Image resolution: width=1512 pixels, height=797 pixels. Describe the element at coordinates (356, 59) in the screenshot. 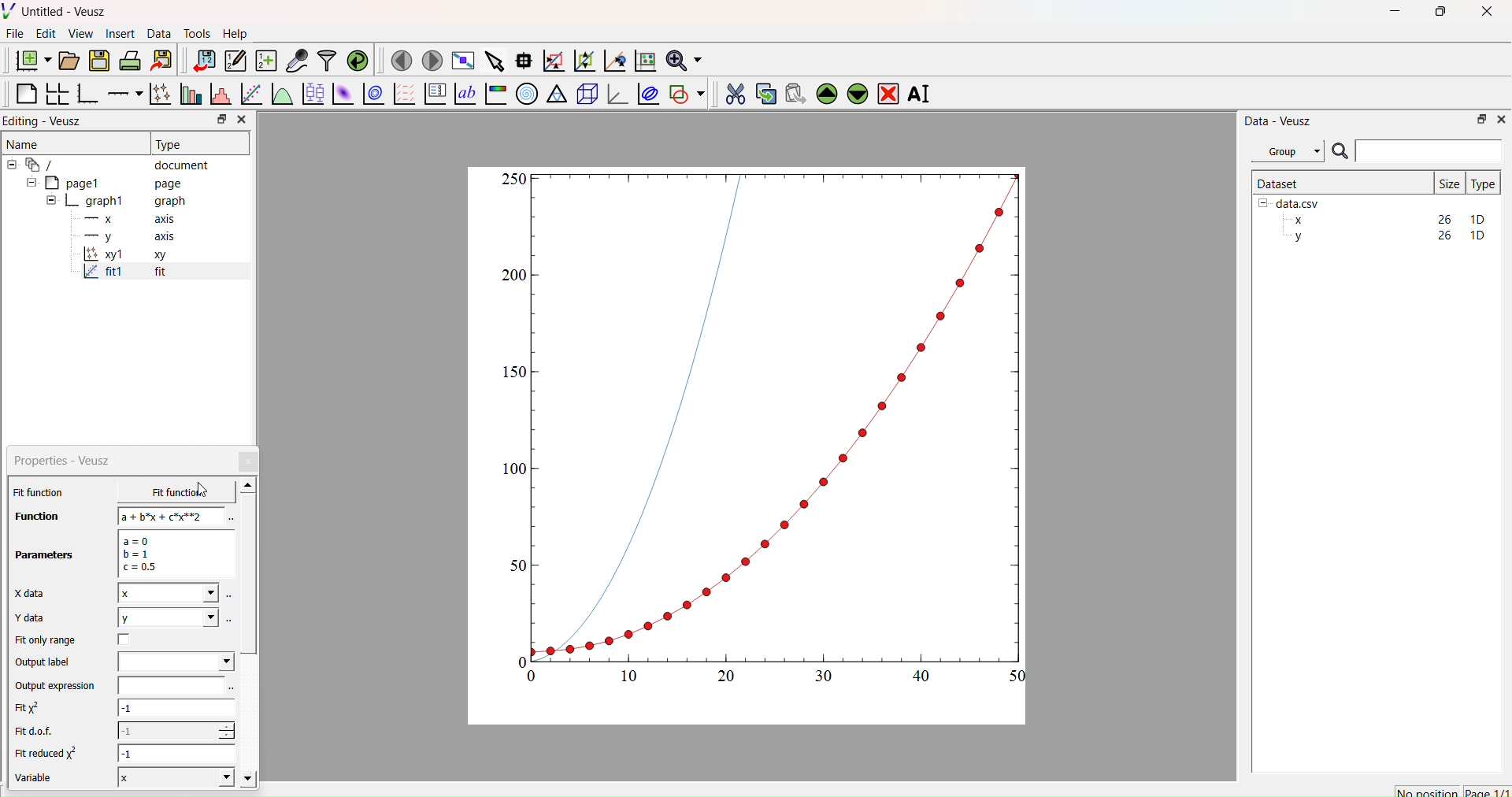

I see `Reload linked dataset` at that location.